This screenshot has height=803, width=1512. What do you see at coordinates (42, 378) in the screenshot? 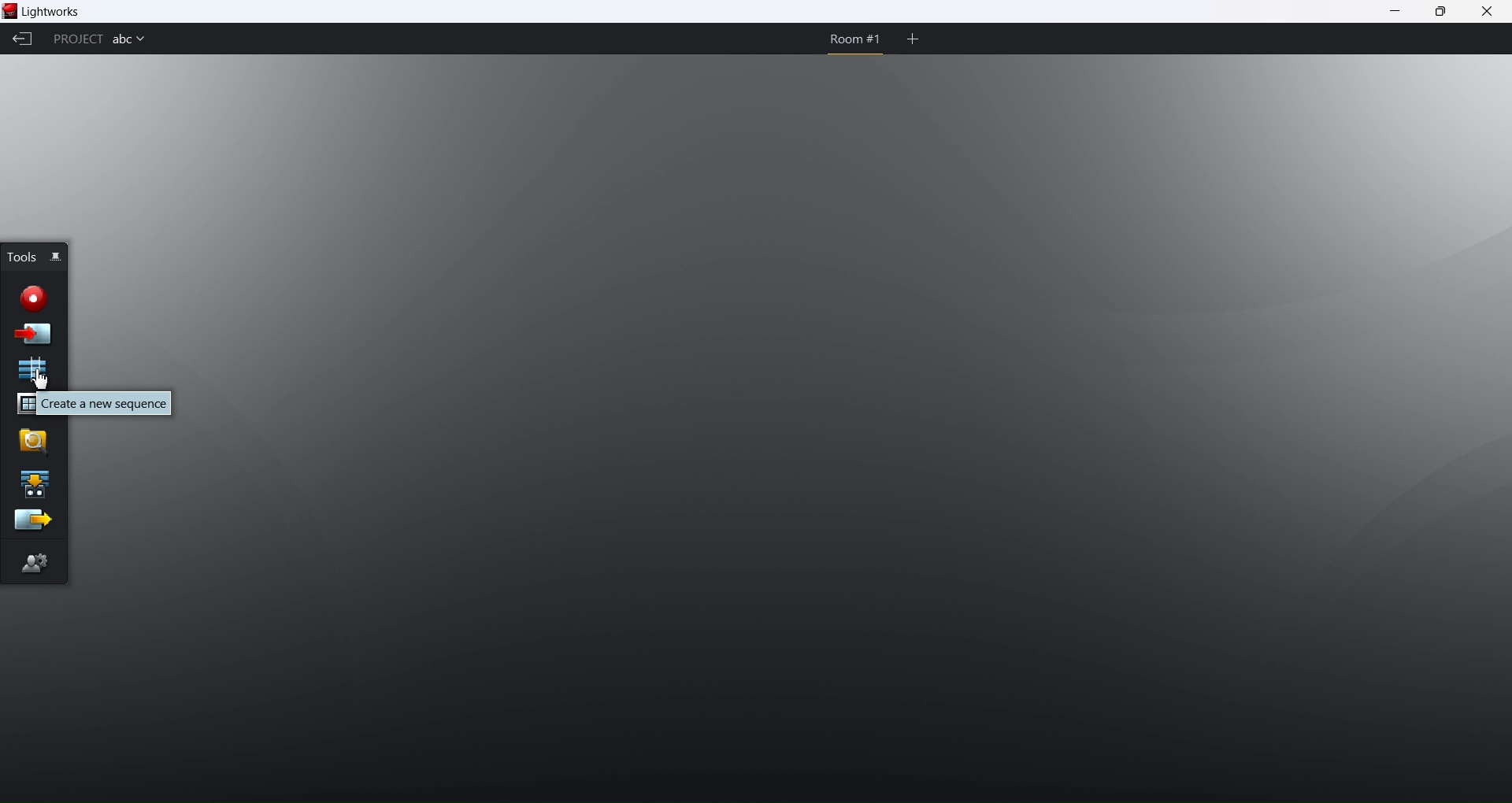
I see `cursor` at bounding box center [42, 378].